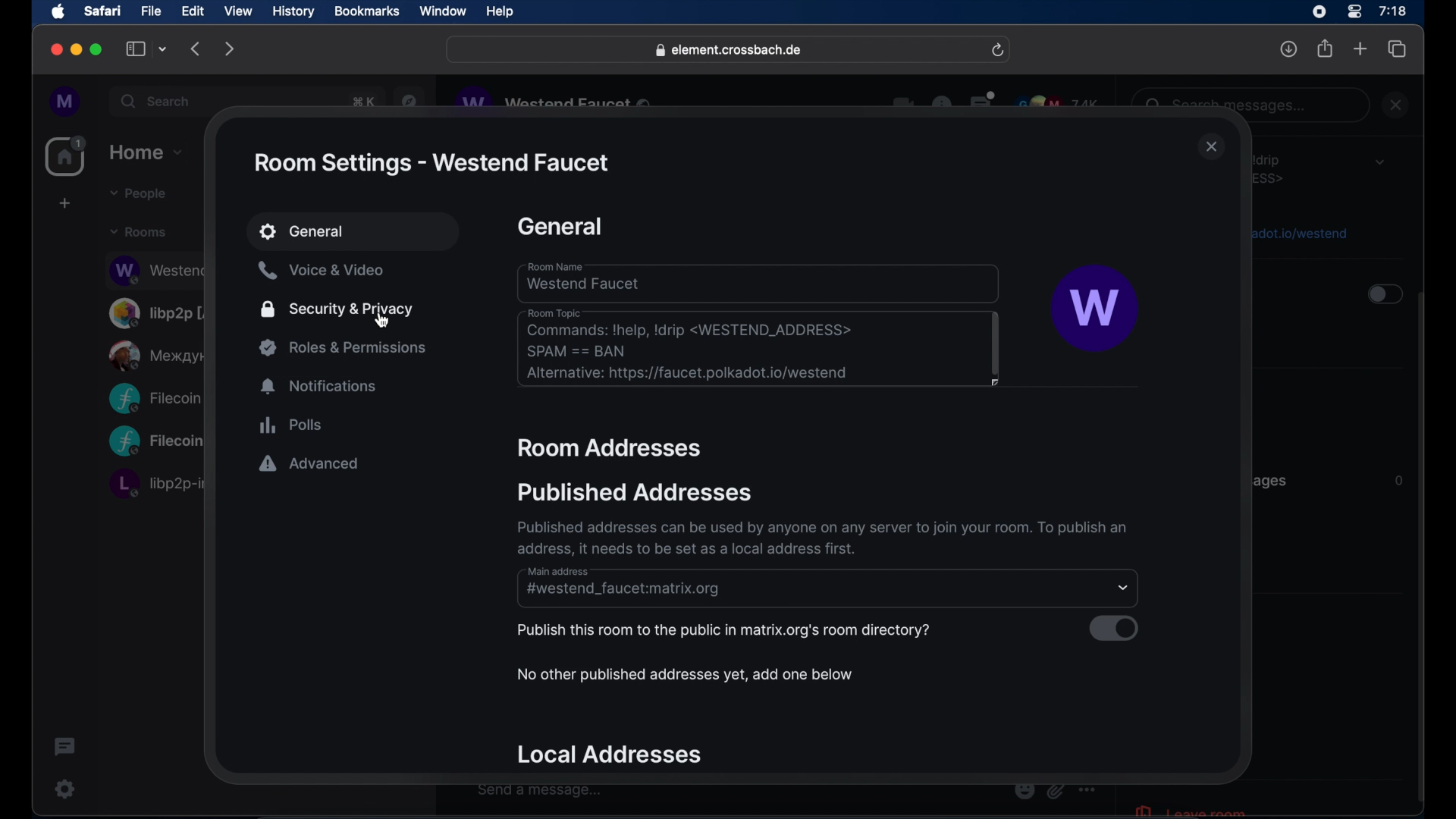 The width and height of the screenshot is (1456, 819). Describe the element at coordinates (157, 101) in the screenshot. I see `search` at that location.